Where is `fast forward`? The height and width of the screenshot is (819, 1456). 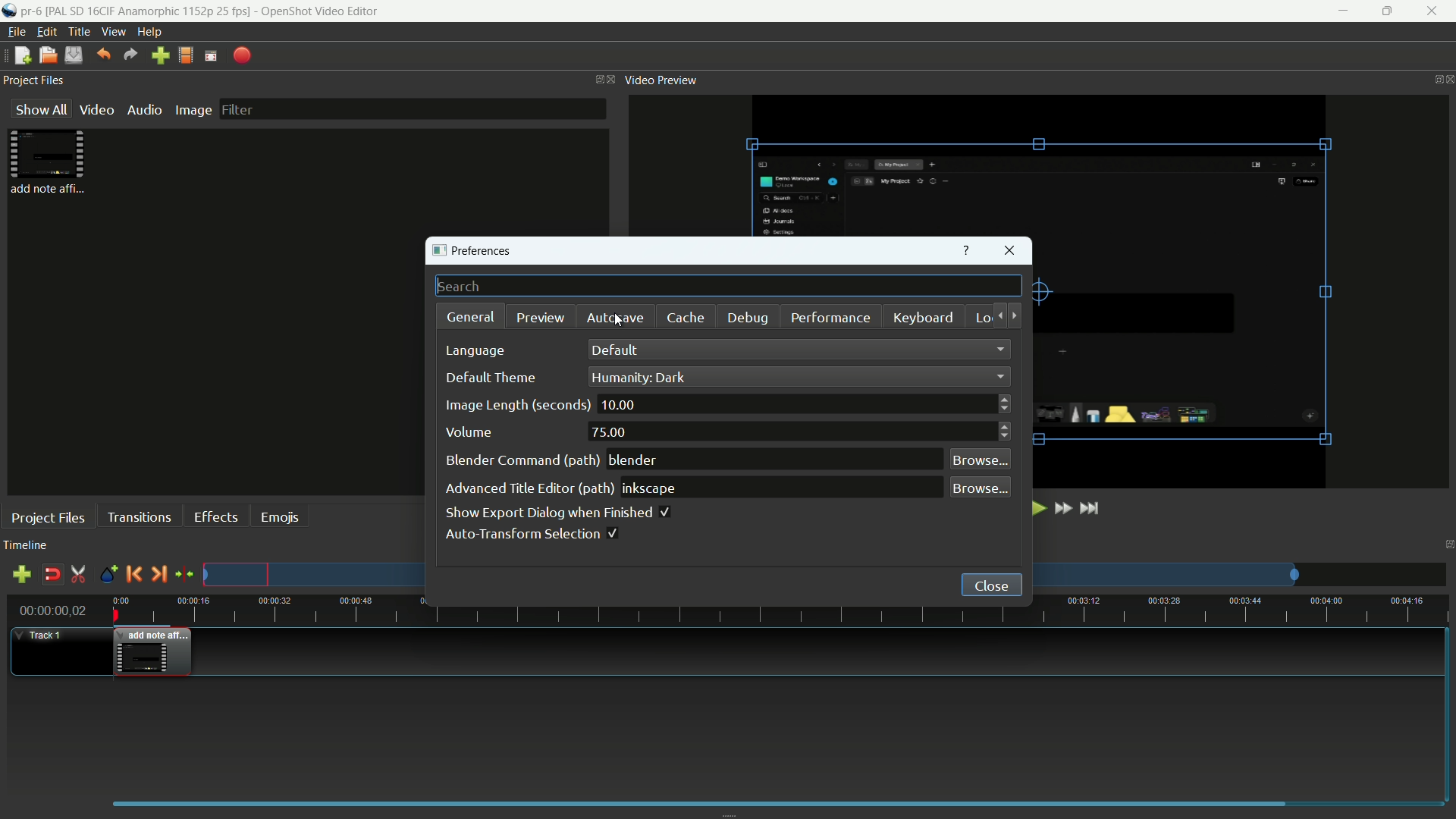 fast forward is located at coordinates (1062, 508).